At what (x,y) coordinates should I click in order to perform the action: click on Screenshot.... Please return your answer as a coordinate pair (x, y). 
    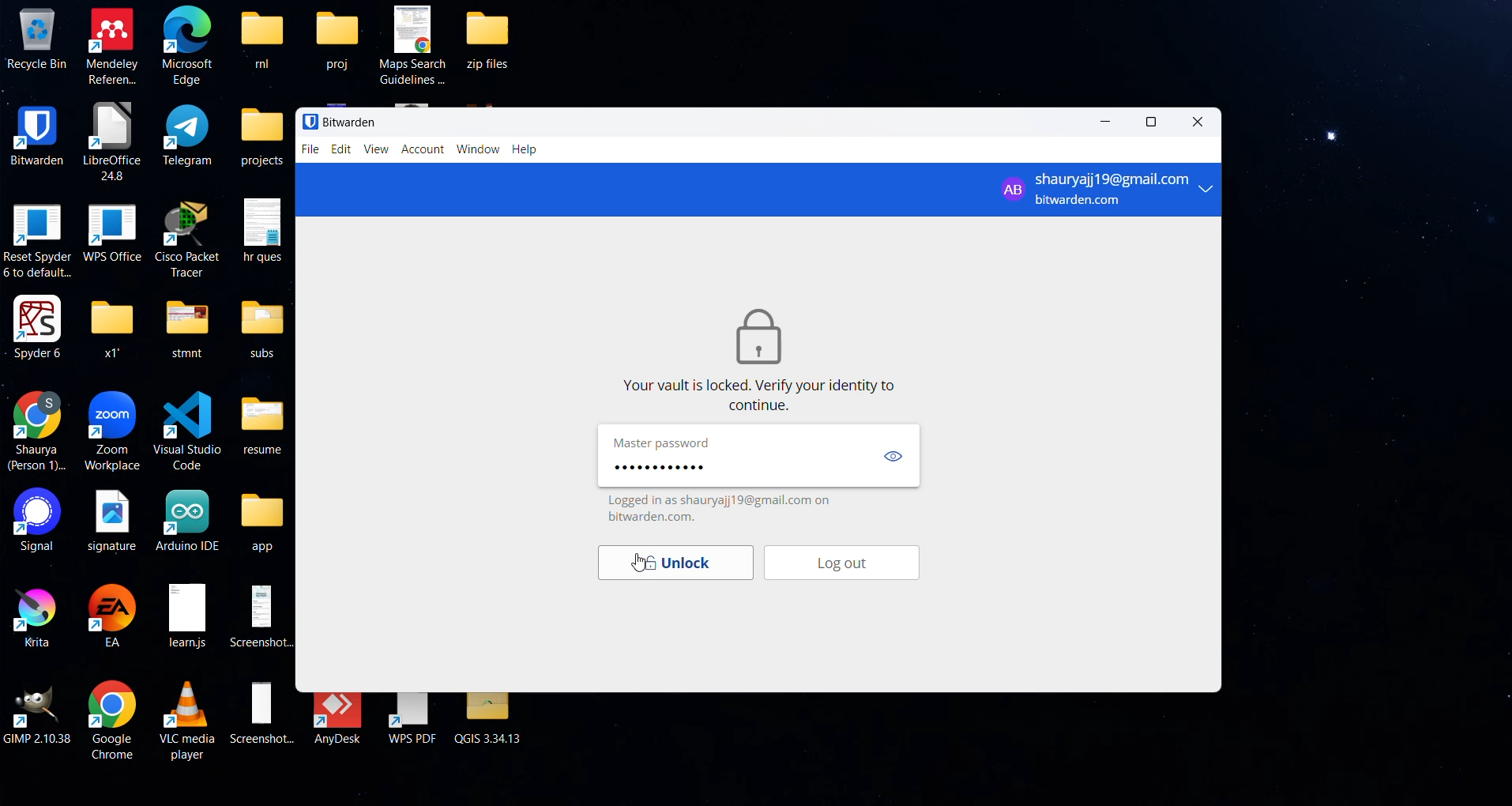
    Looking at the image, I should click on (265, 615).